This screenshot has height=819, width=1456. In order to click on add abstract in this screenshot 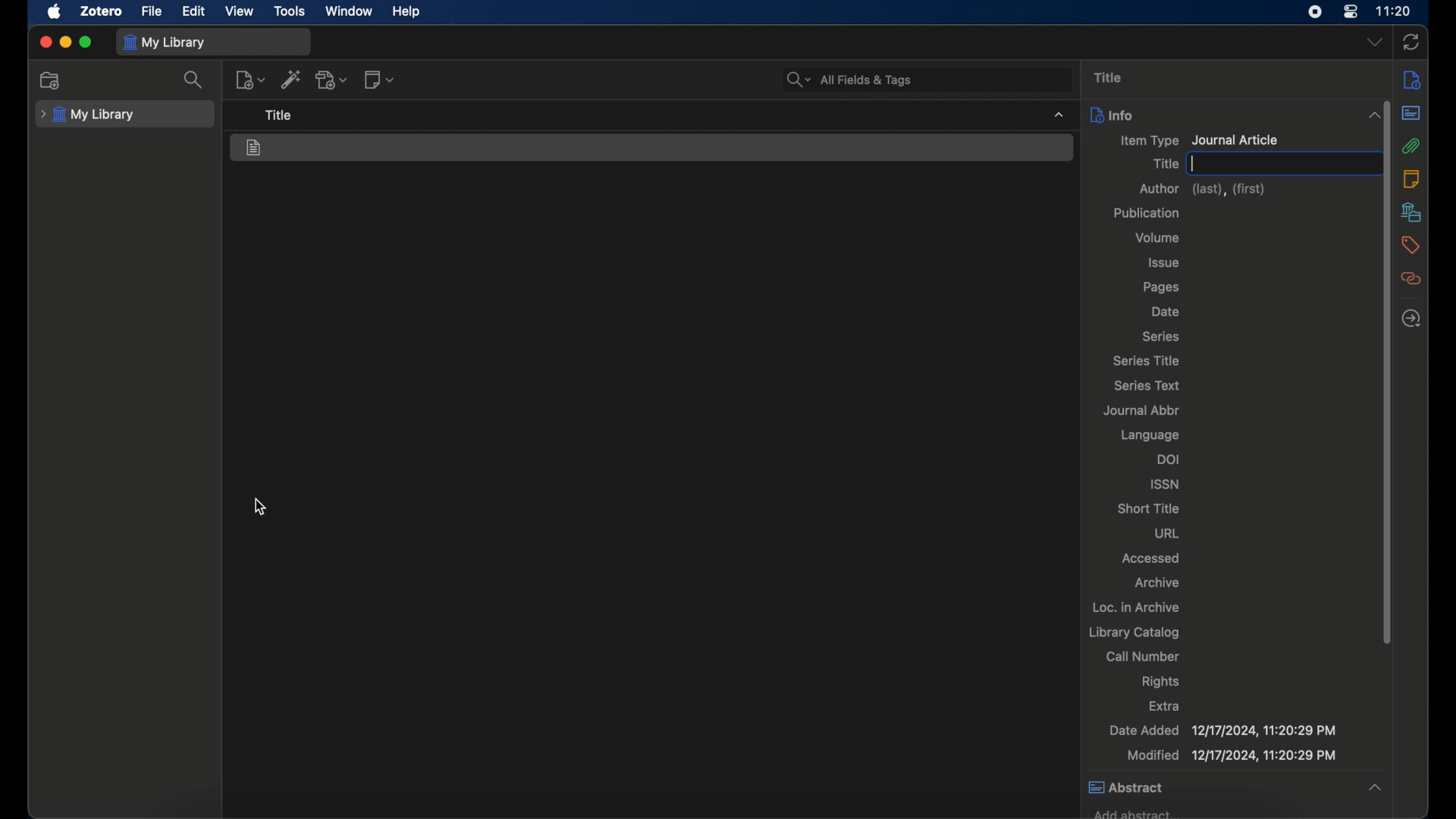, I will do `click(1131, 811)`.